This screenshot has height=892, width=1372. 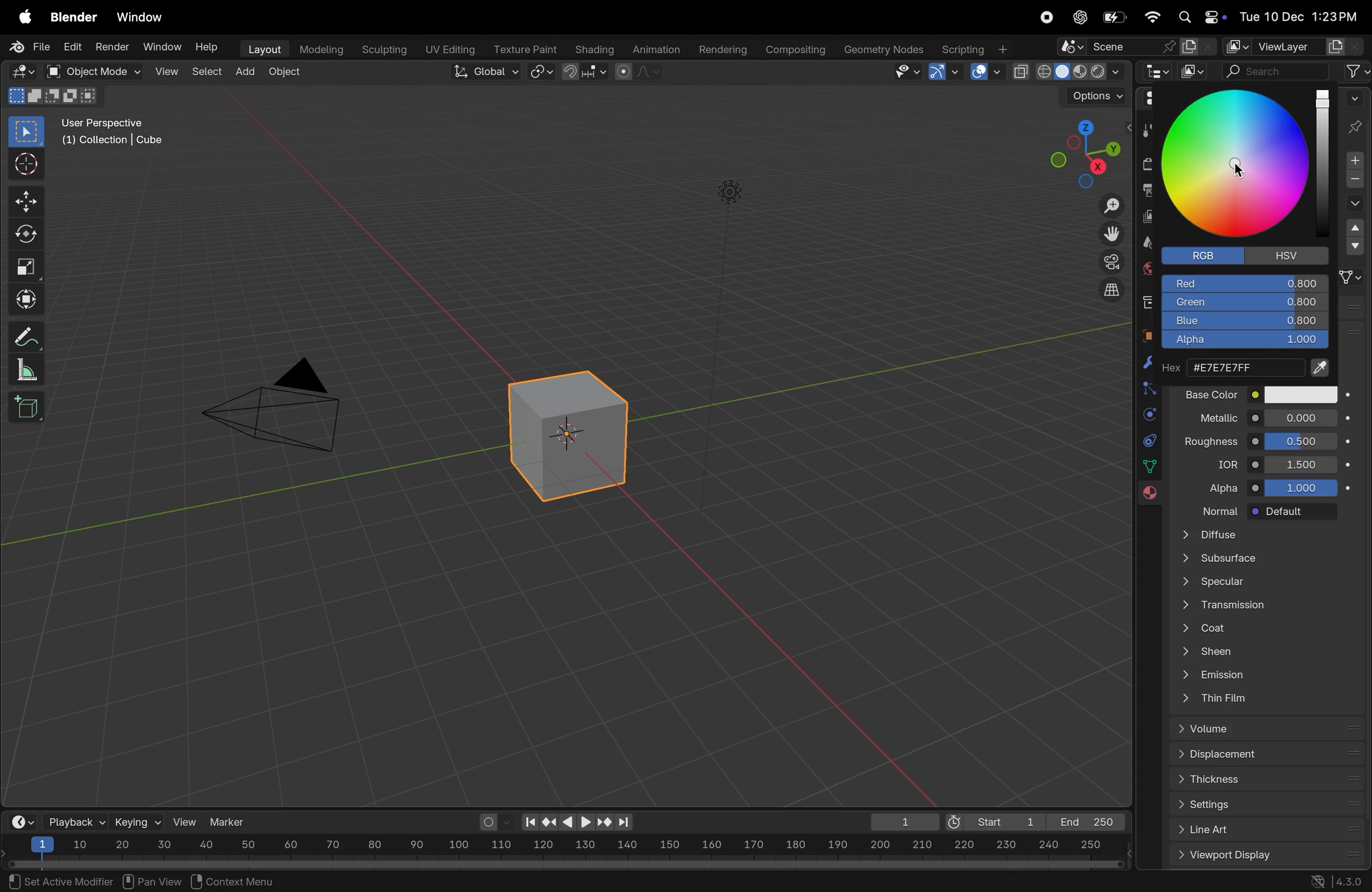 I want to click on chatgpt, so click(x=1078, y=17).